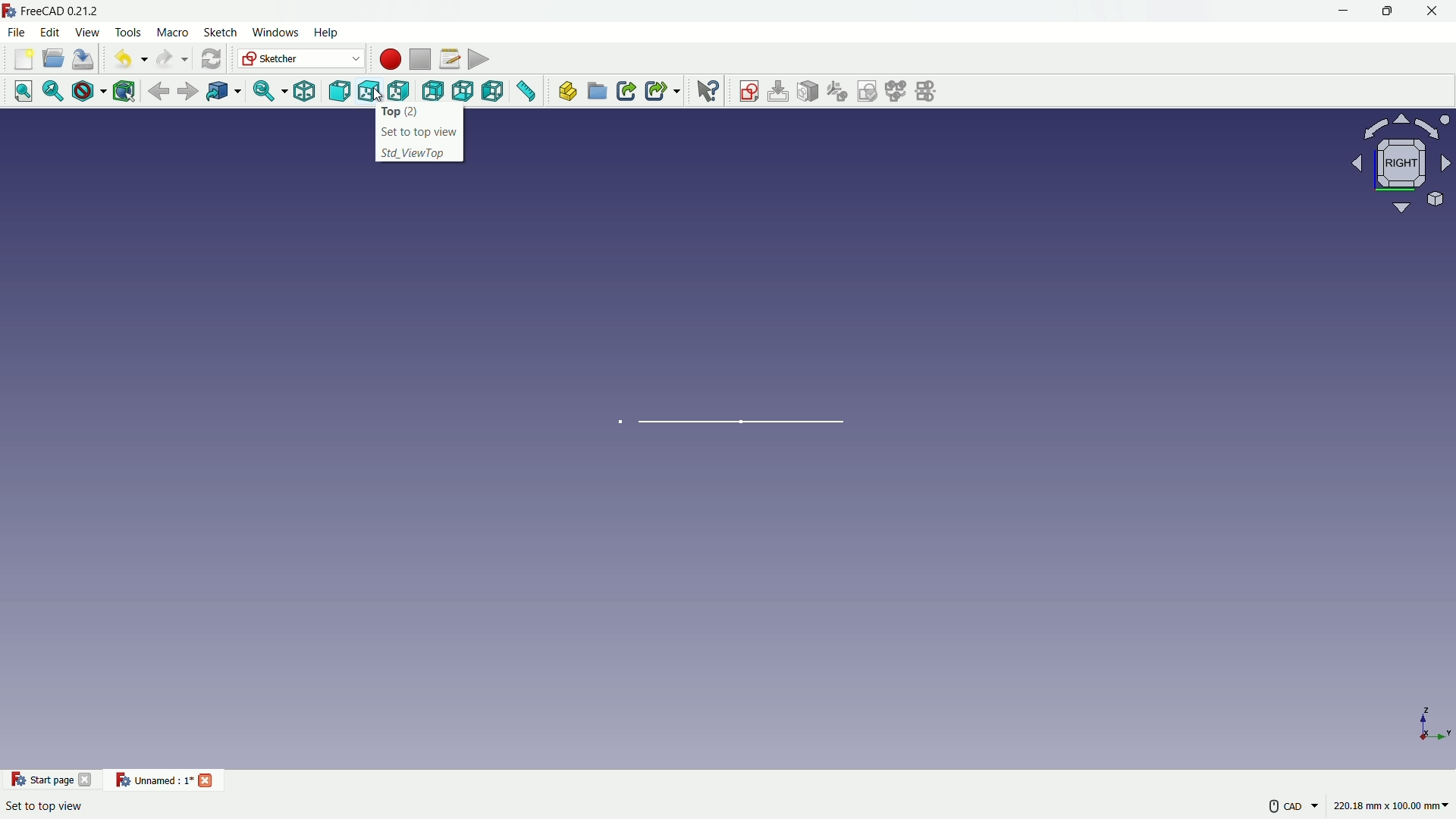 This screenshot has height=819, width=1456. Describe the element at coordinates (1434, 13) in the screenshot. I see `close` at that location.